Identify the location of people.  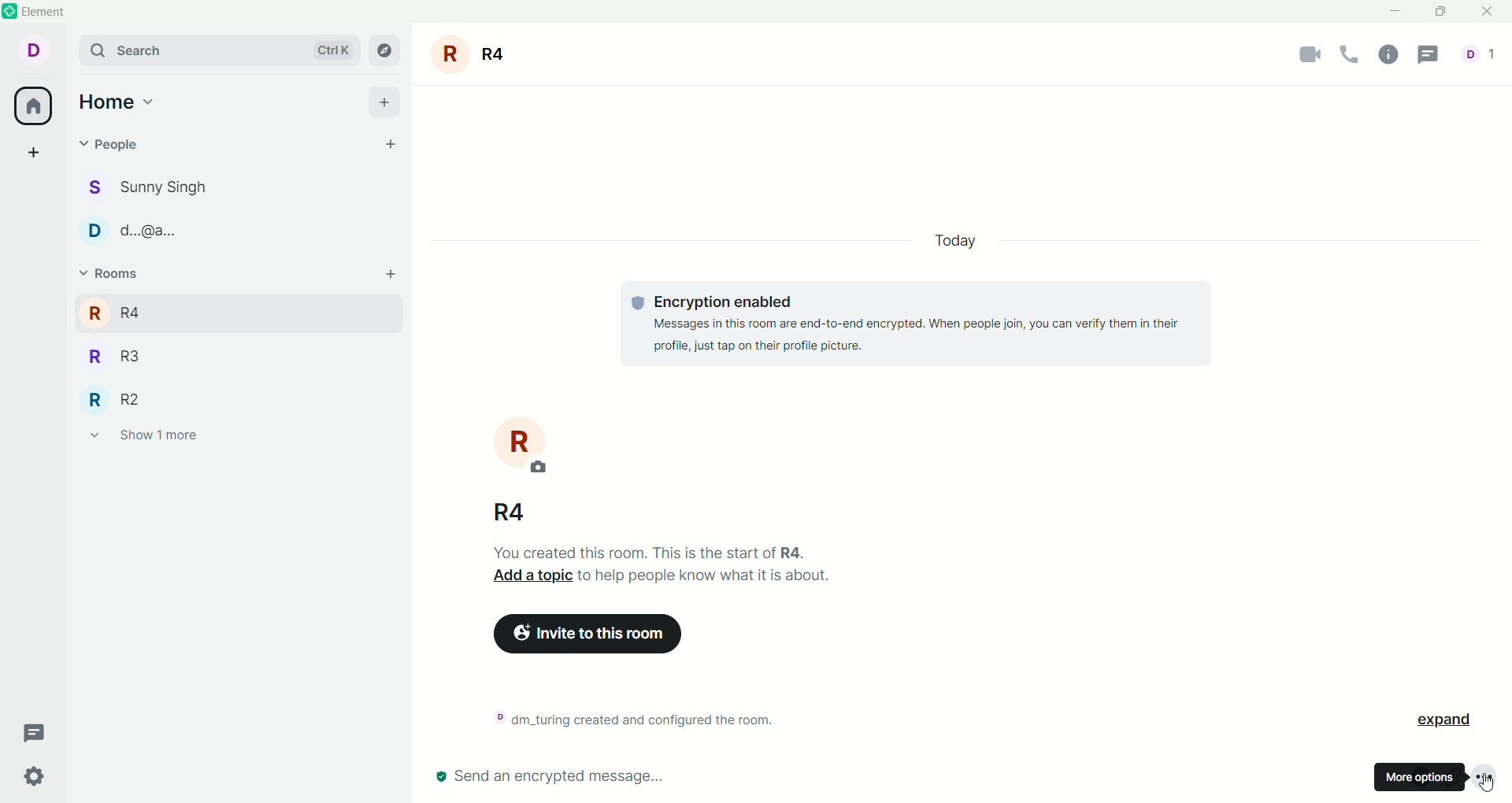
(115, 144).